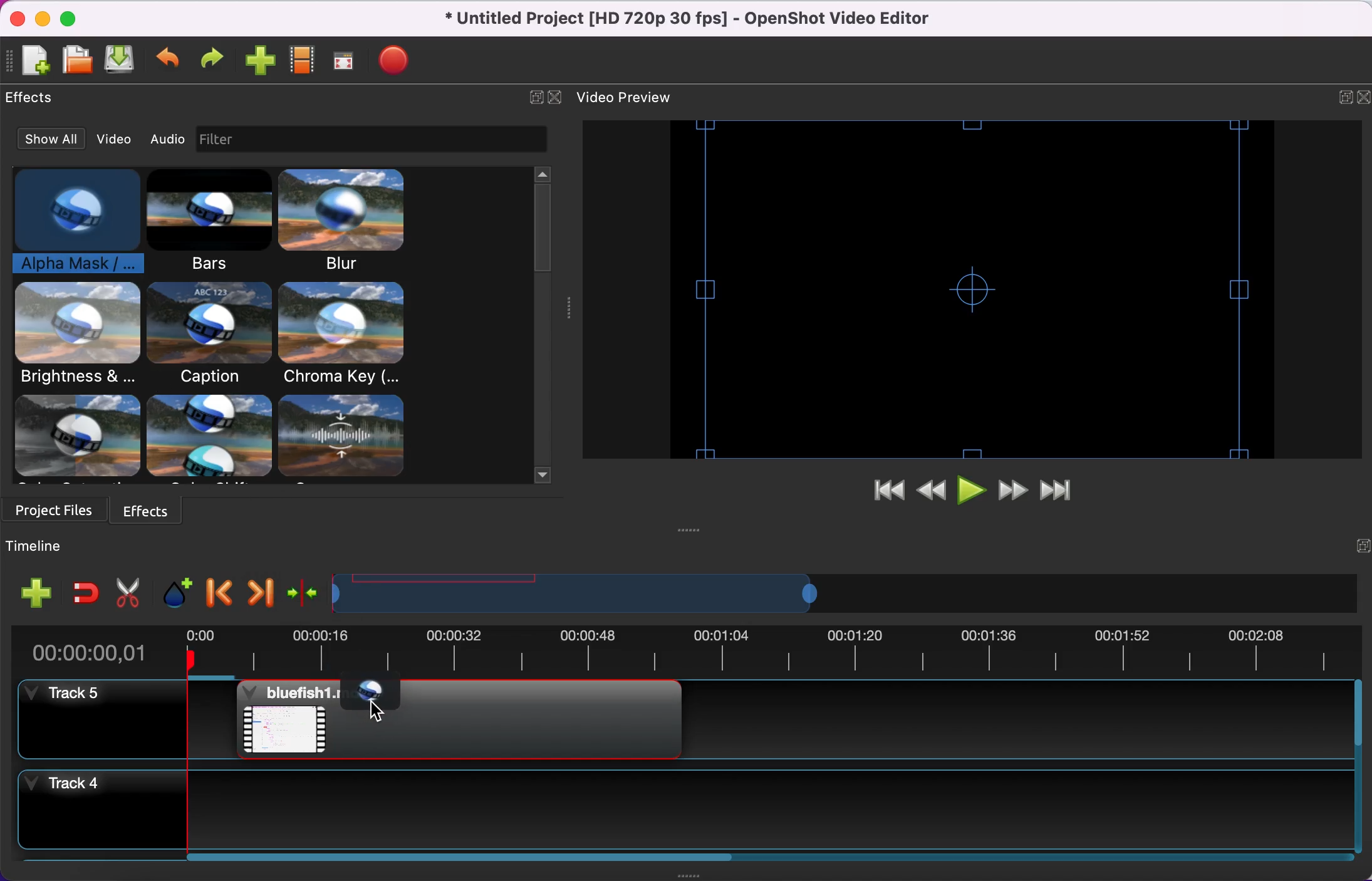 This screenshot has height=881, width=1372. Describe the element at coordinates (932, 491) in the screenshot. I see `rewind` at that location.